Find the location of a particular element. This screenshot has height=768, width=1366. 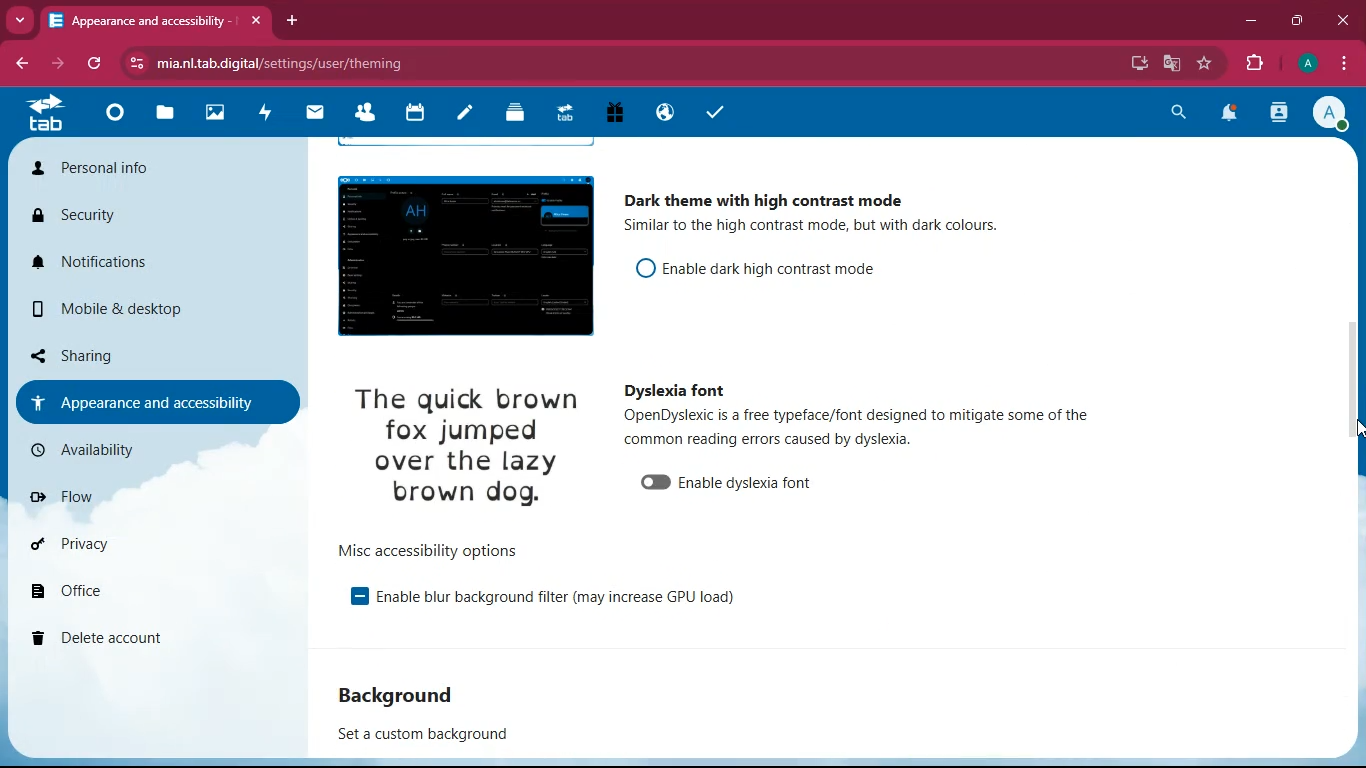

delete account is located at coordinates (137, 637).